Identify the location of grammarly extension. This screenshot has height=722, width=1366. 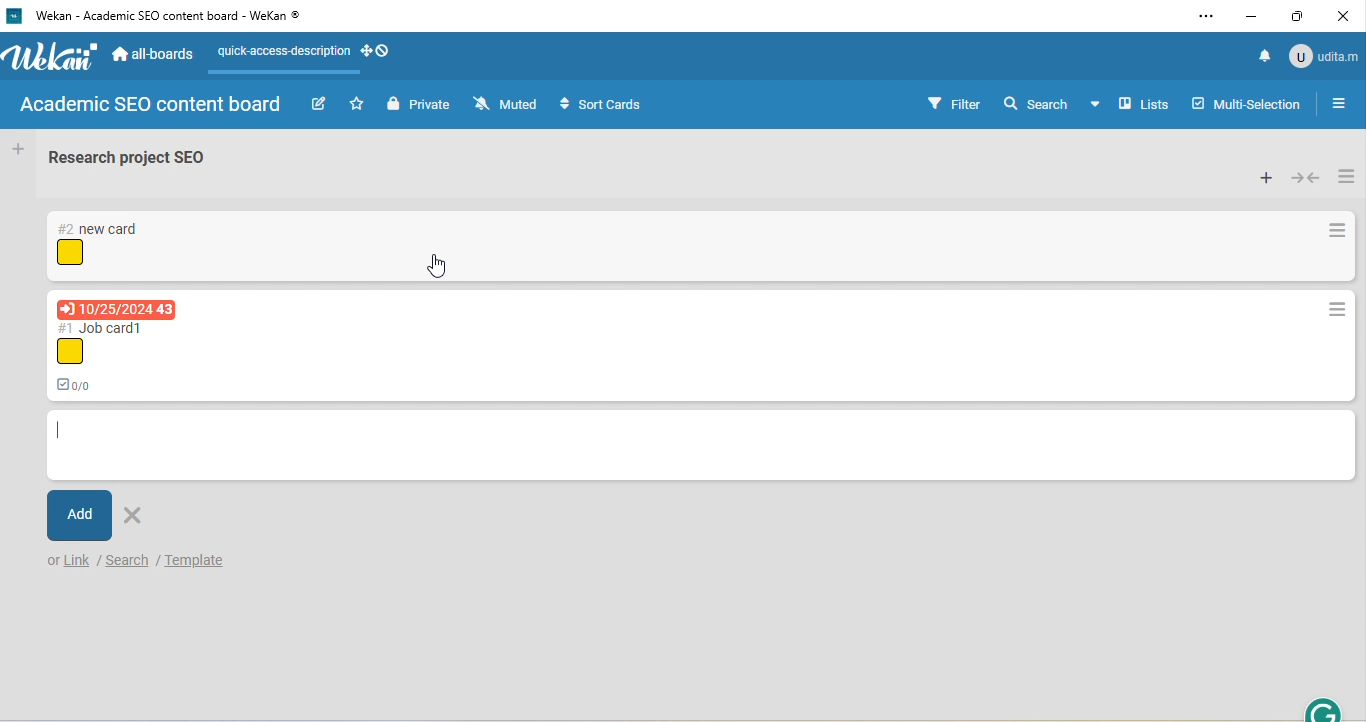
(1325, 707).